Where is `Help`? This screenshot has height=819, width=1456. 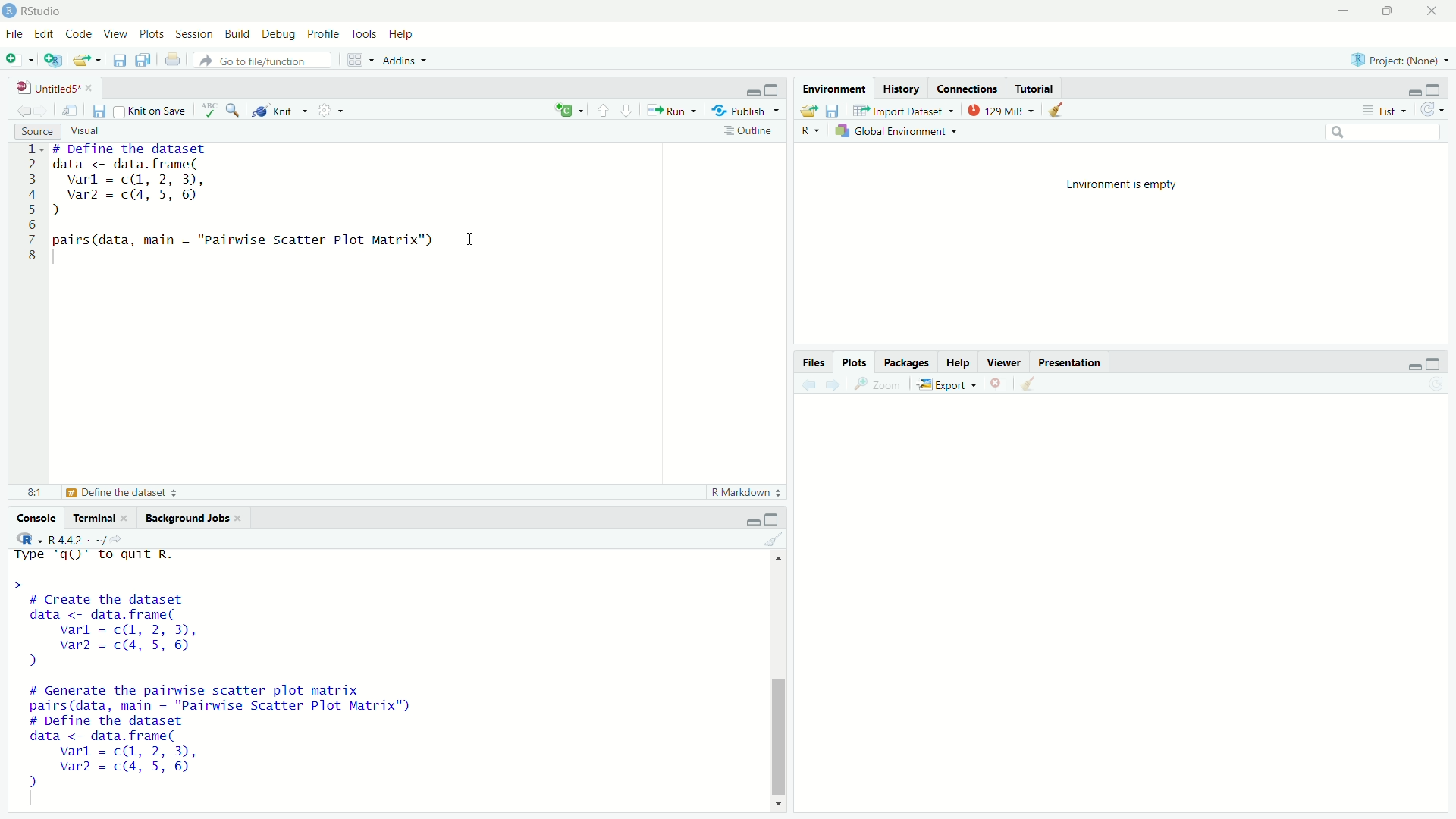
Help is located at coordinates (959, 362).